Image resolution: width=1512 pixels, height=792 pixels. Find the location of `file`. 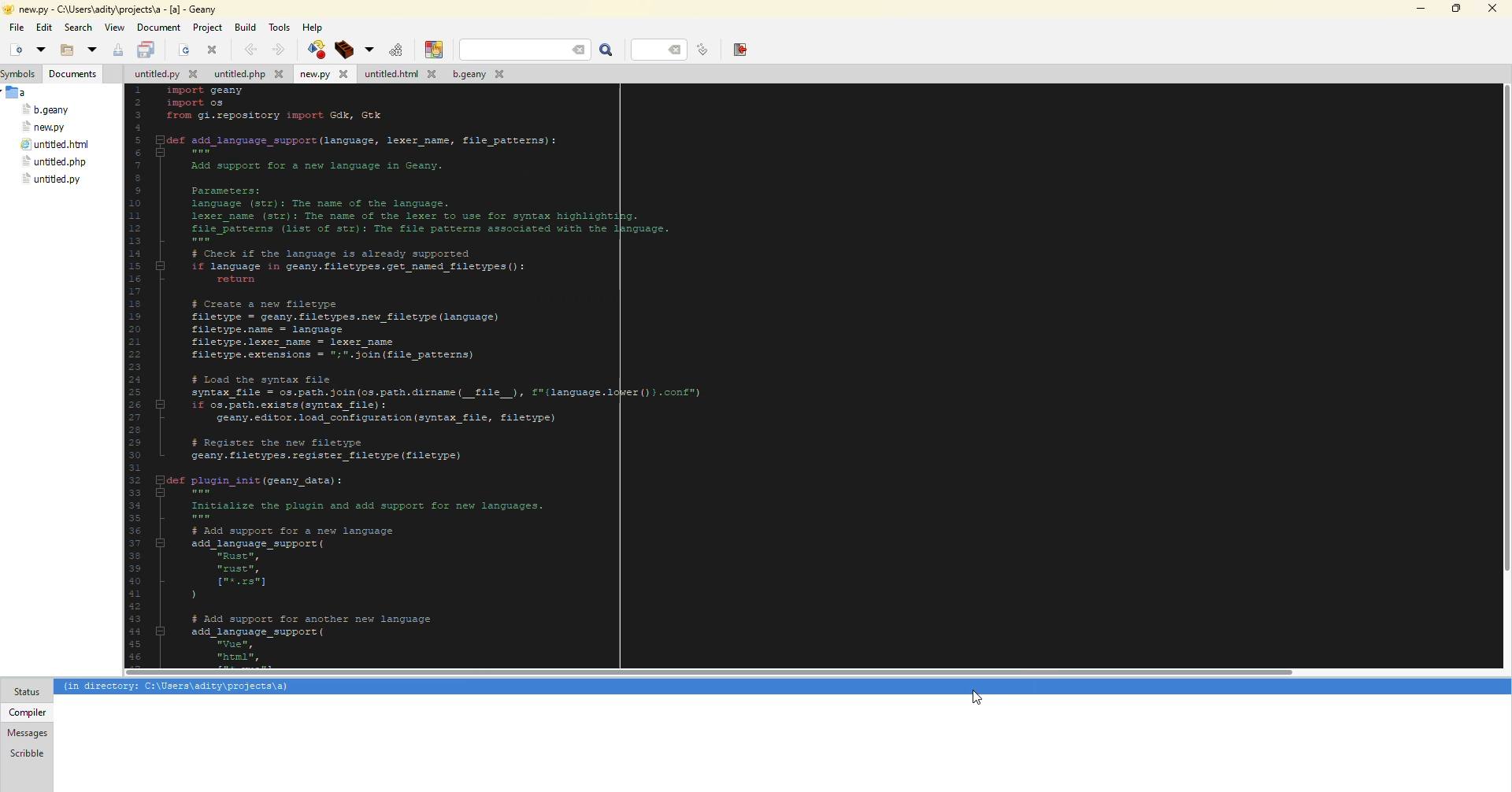

file is located at coordinates (51, 179).